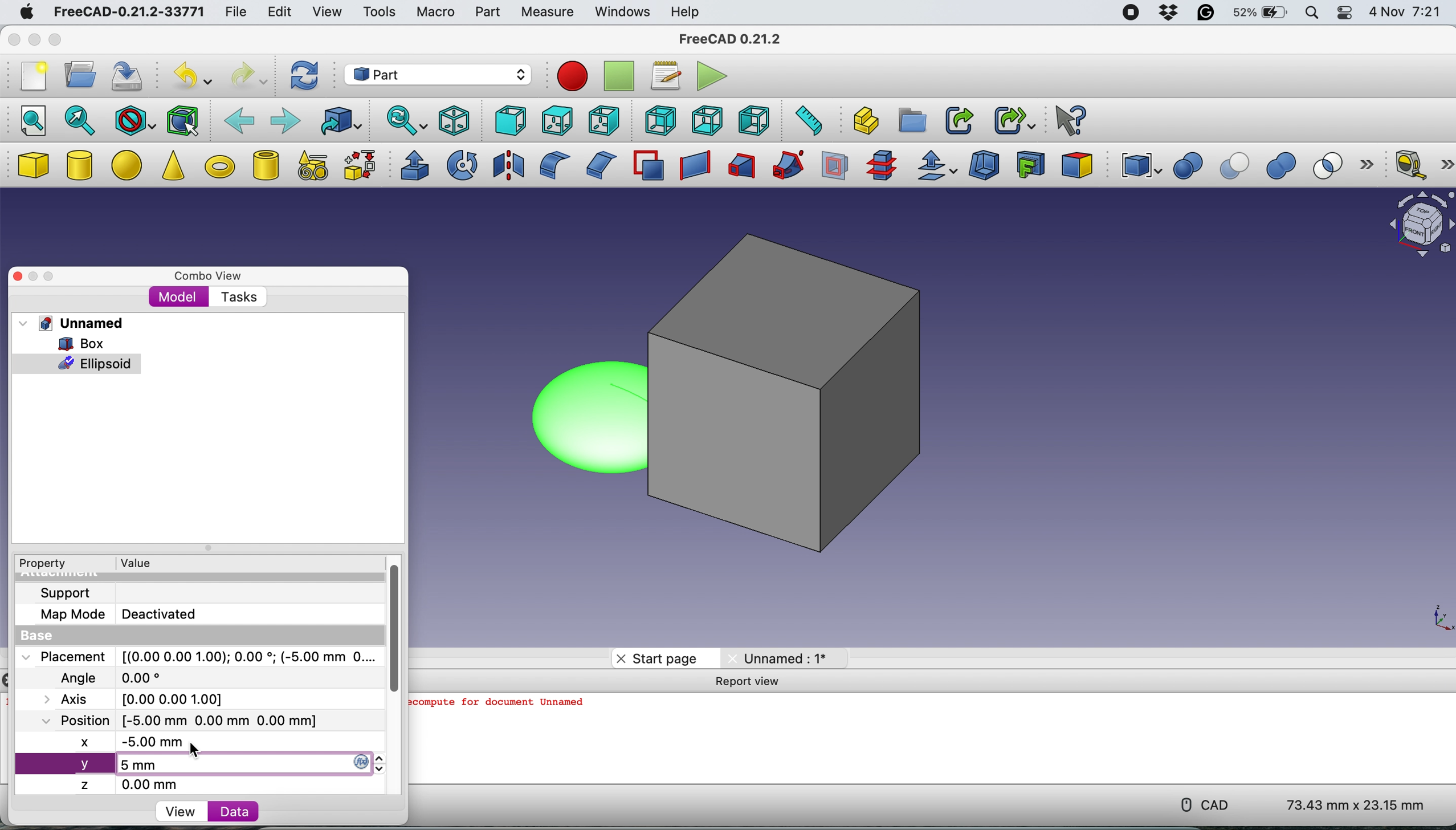 Image resolution: width=1456 pixels, height=830 pixels. What do you see at coordinates (1015, 119) in the screenshot?
I see `make sub link` at bounding box center [1015, 119].